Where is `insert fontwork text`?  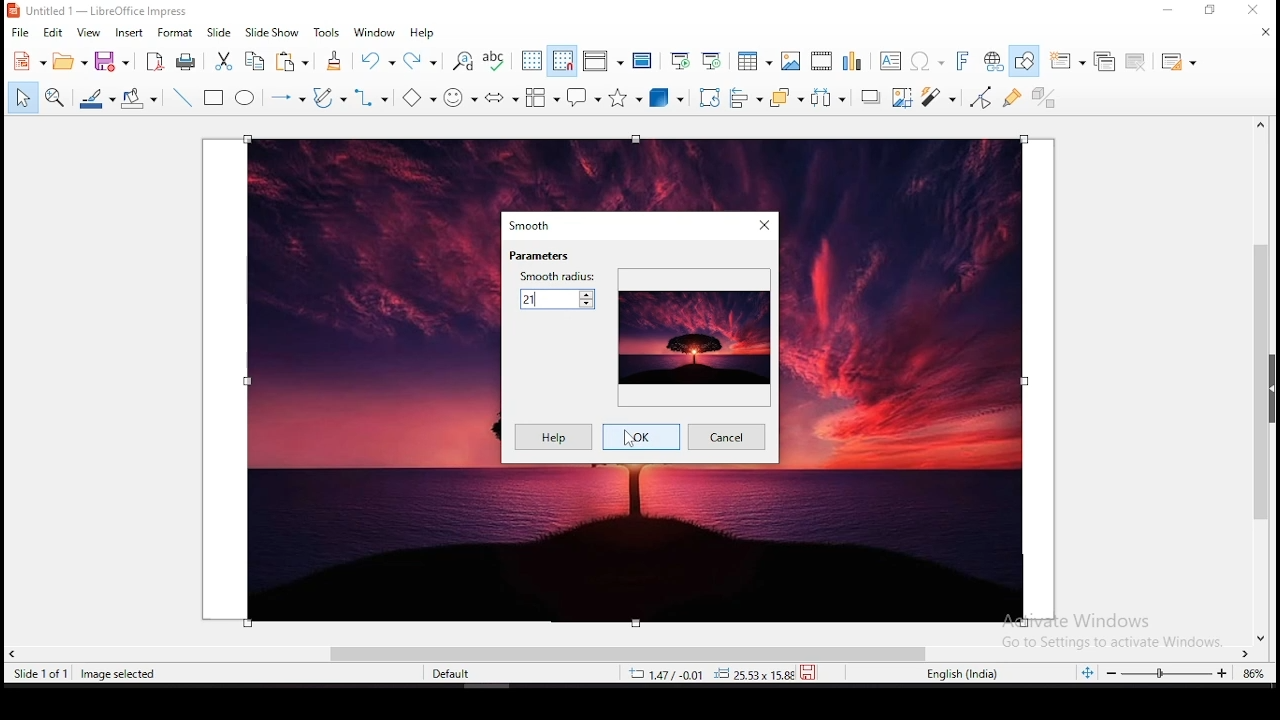
insert fontwork text is located at coordinates (964, 60).